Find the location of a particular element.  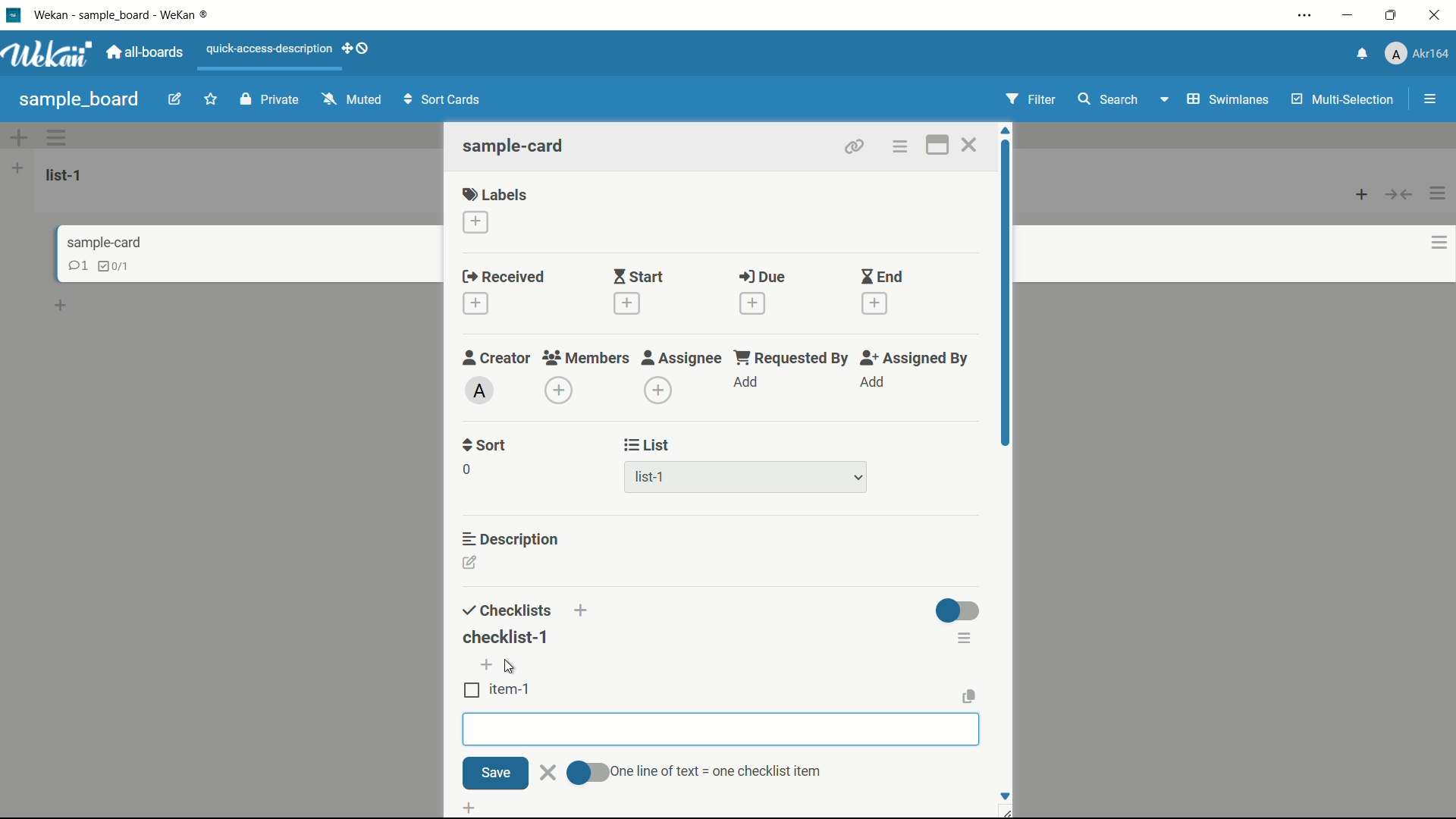

add date is located at coordinates (627, 303).